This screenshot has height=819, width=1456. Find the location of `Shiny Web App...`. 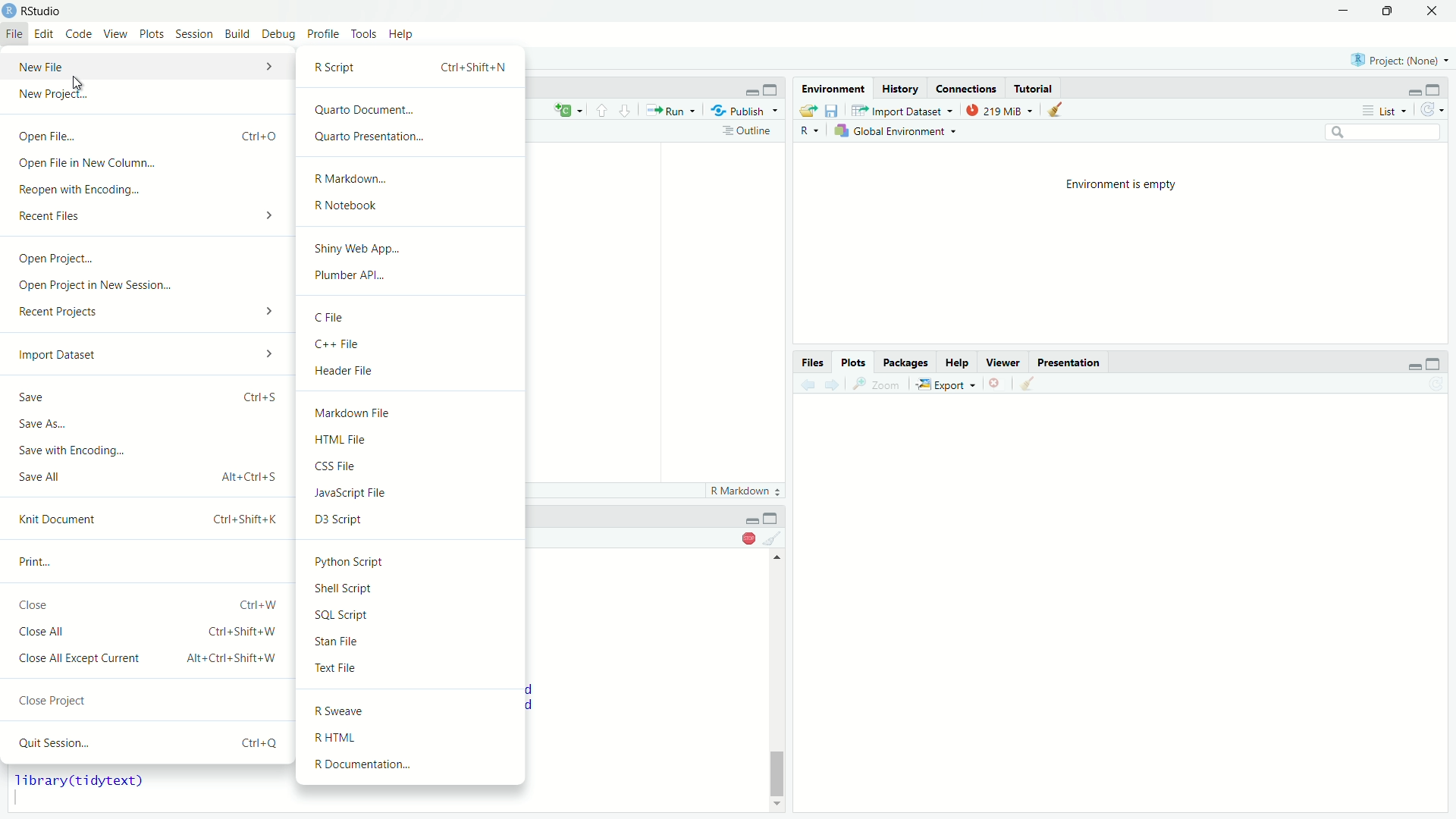

Shiny Web App... is located at coordinates (412, 248).